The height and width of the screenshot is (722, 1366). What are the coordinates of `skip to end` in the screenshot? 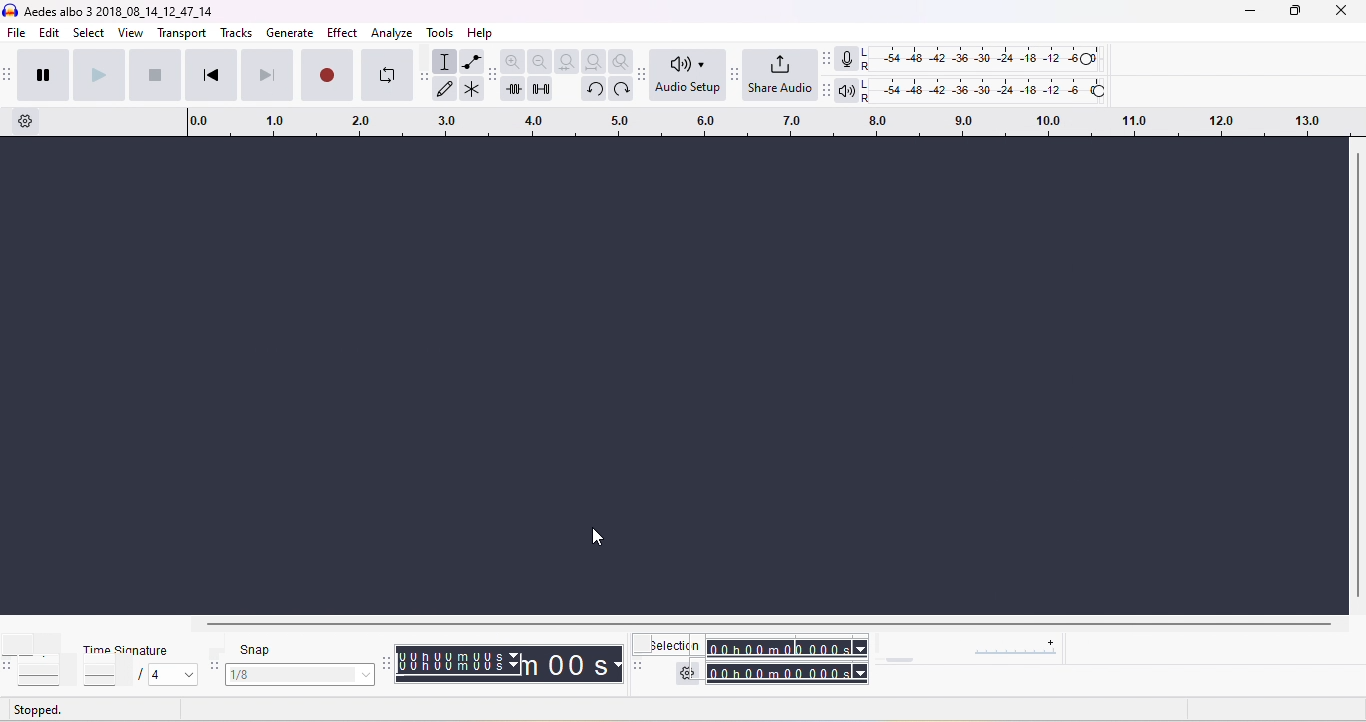 It's located at (266, 74).